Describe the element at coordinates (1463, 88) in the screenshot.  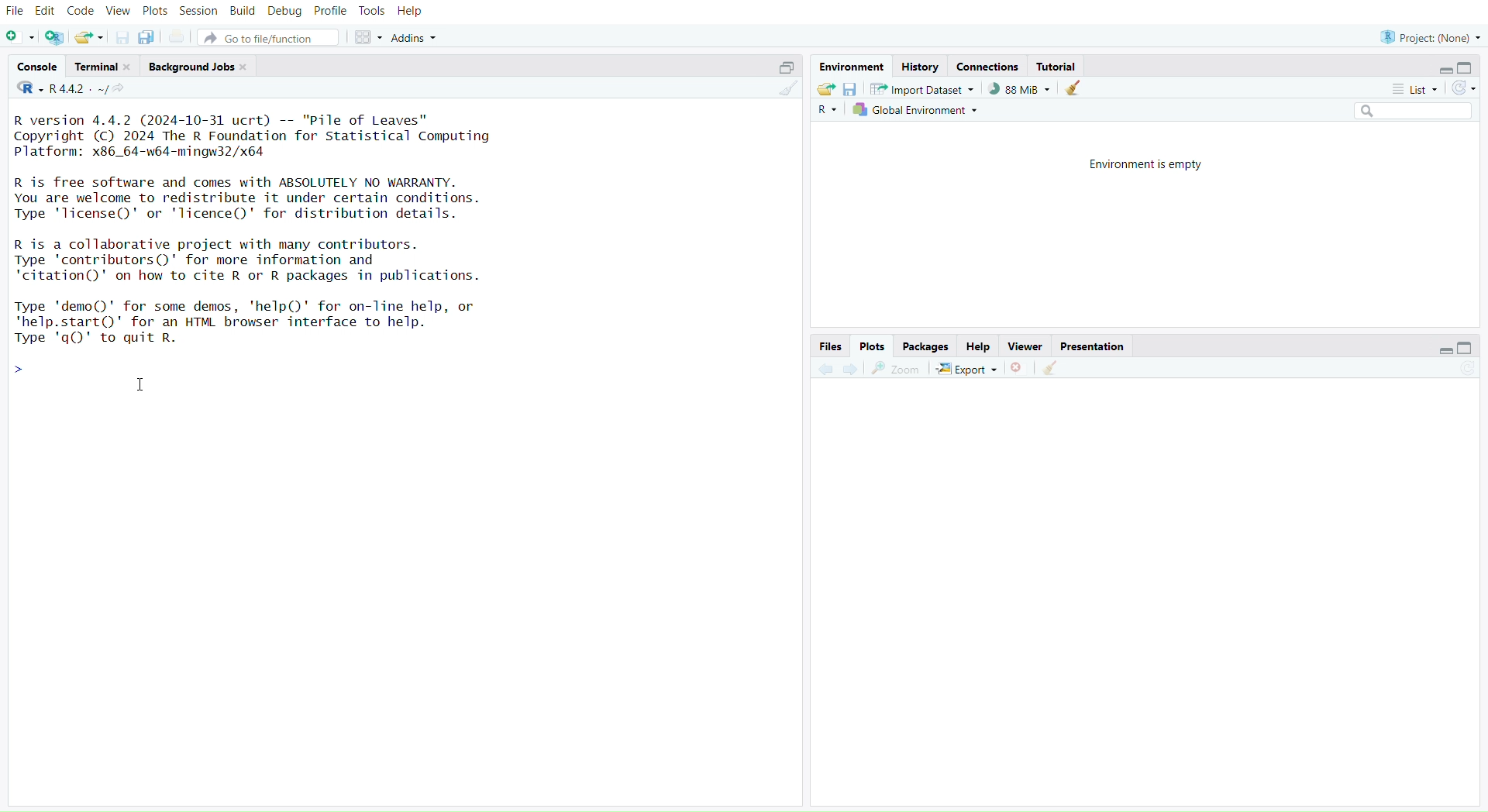
I see `refresh list` at that location.